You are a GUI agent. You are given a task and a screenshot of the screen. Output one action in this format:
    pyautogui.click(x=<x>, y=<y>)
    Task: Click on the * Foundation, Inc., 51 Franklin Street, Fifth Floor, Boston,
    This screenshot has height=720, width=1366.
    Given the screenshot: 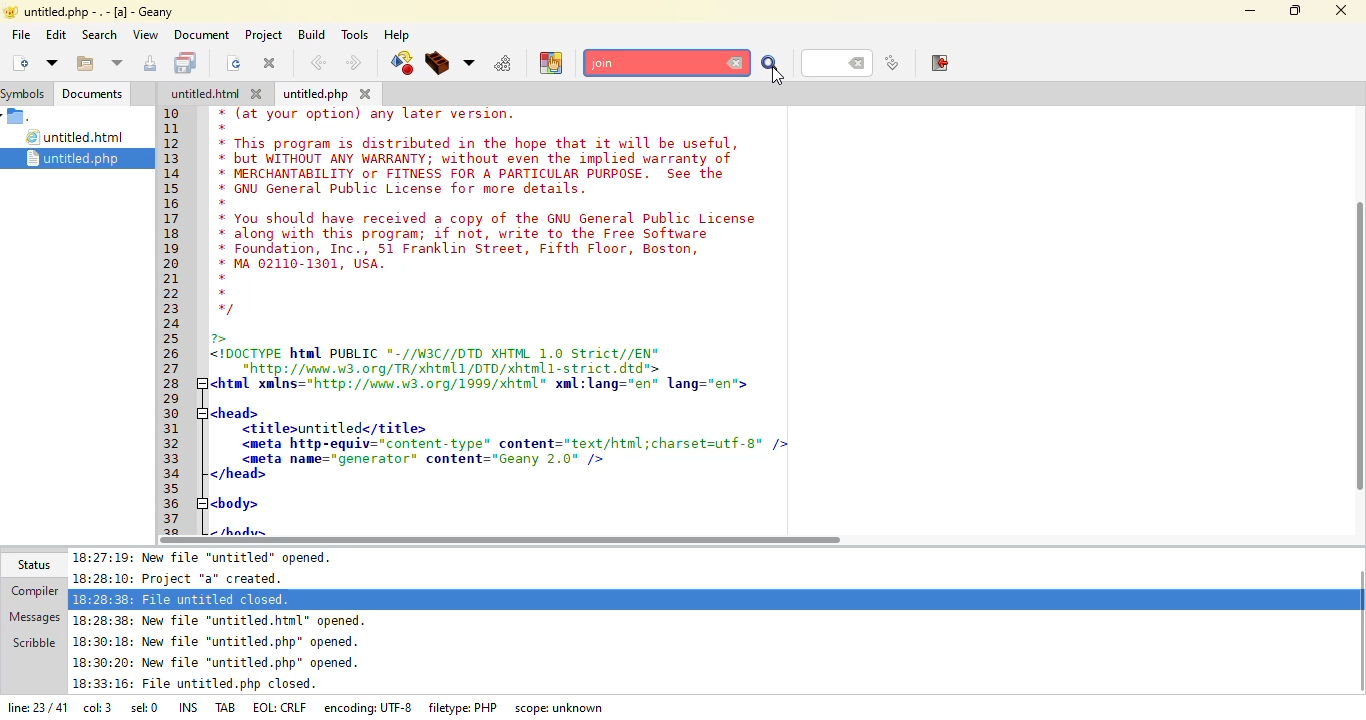 What is the action you would take?
    pyautogui.click(x=464, y=250)
    